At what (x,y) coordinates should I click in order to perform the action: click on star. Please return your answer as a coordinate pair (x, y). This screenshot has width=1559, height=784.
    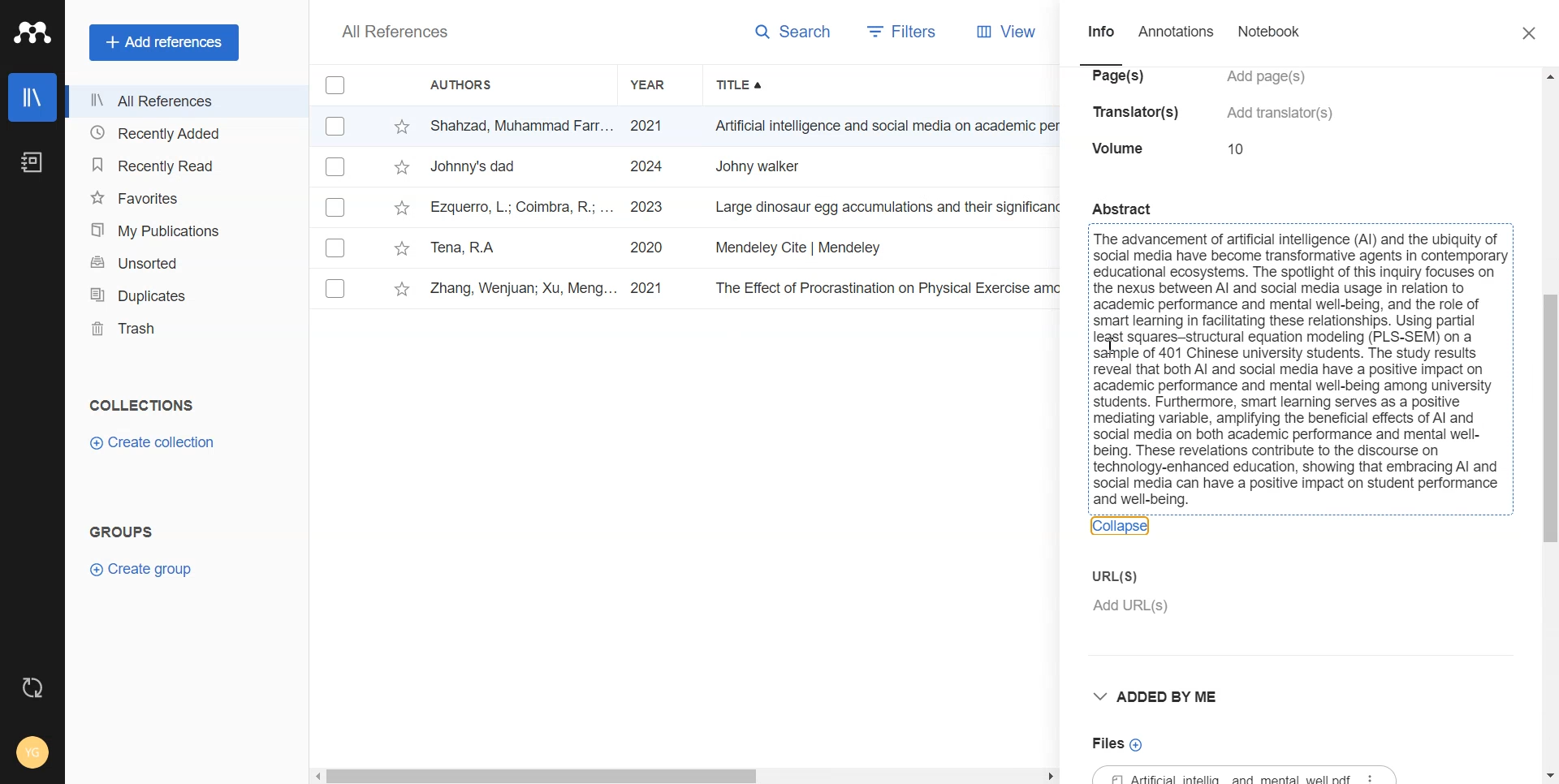
    Looking at the image, I should click on (403, 289).